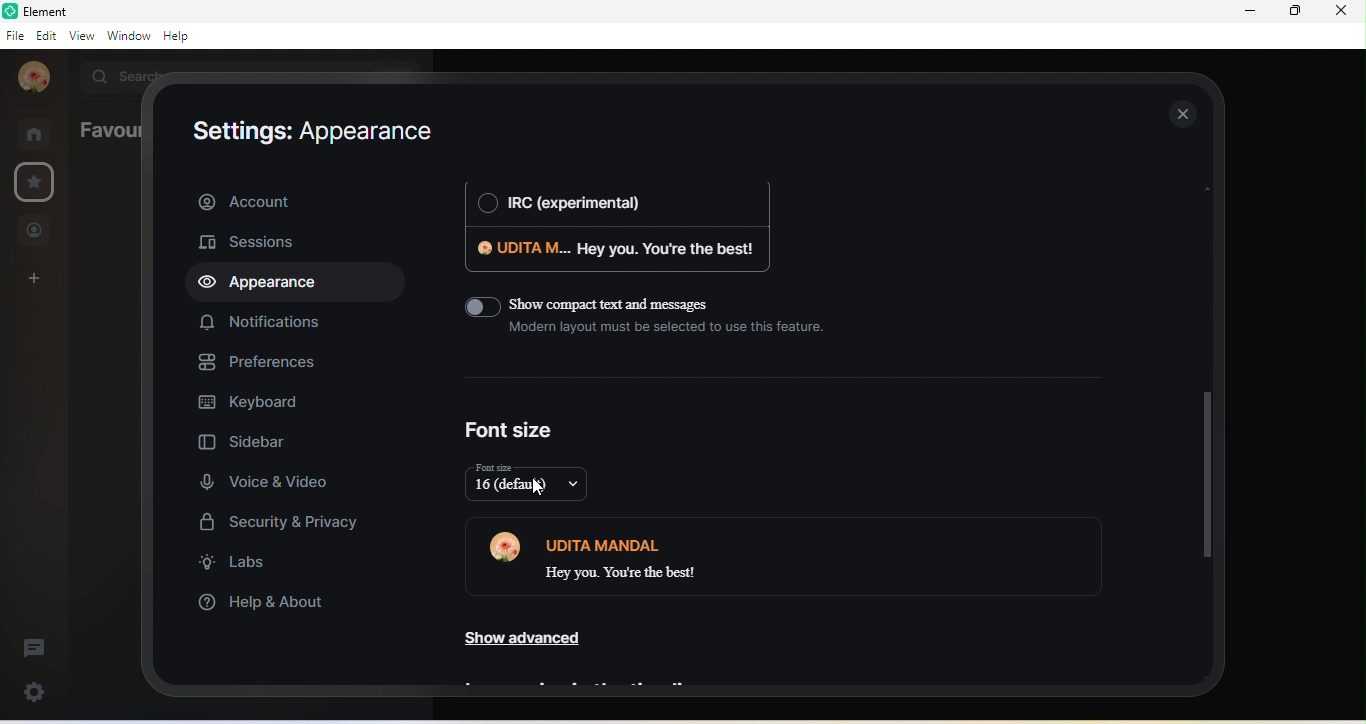 The width and height of the screenshot is (1366, 724). What do you see at coordinates (260, 325) in the screenshot?
I see `notifications` at bounding box center [260, 325].